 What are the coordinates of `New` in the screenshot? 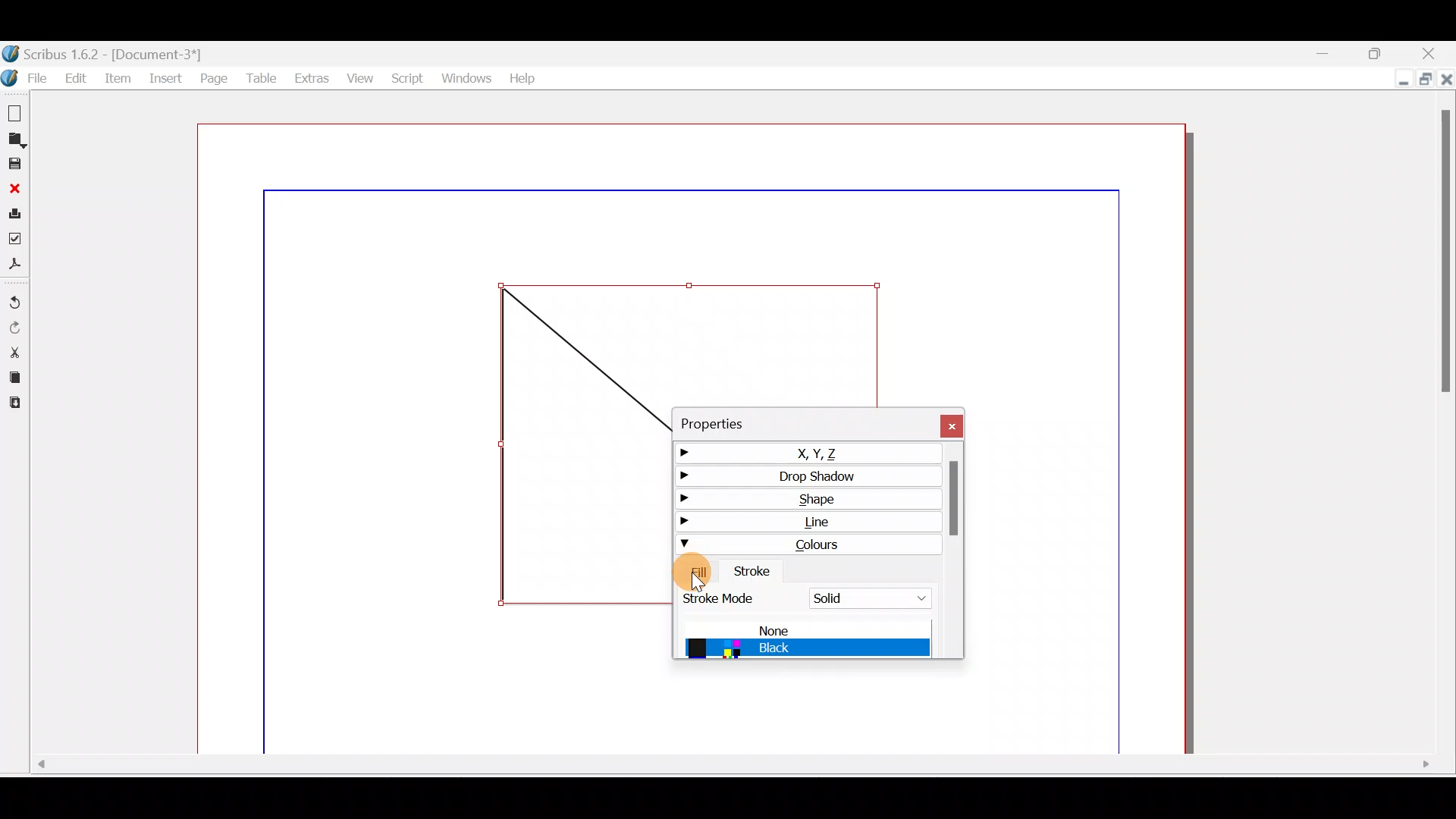 It's located at (15, 111).